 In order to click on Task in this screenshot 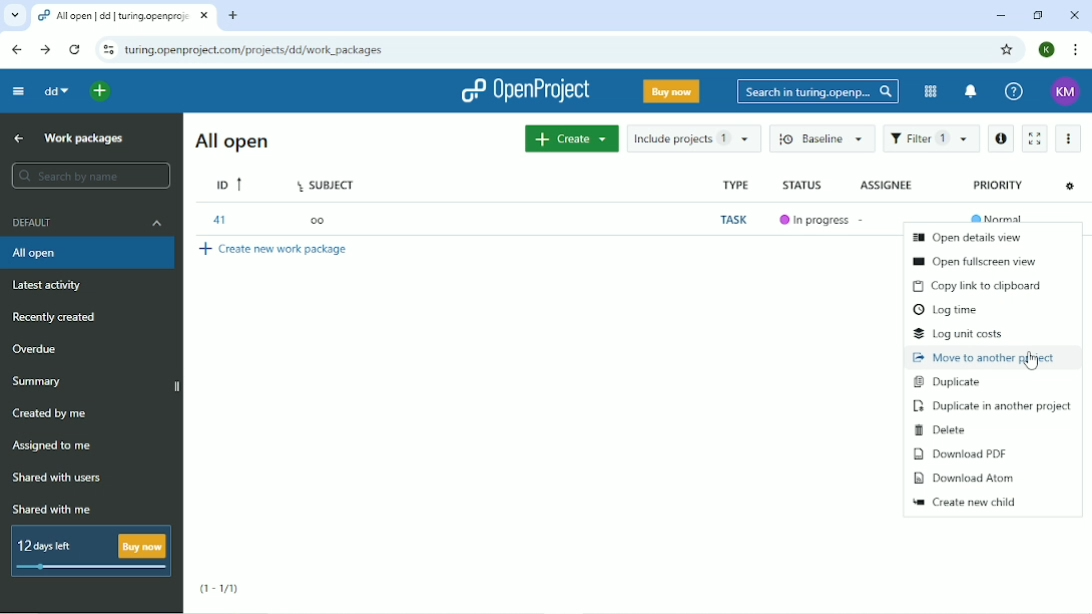, I will do `click(735, 219)`.